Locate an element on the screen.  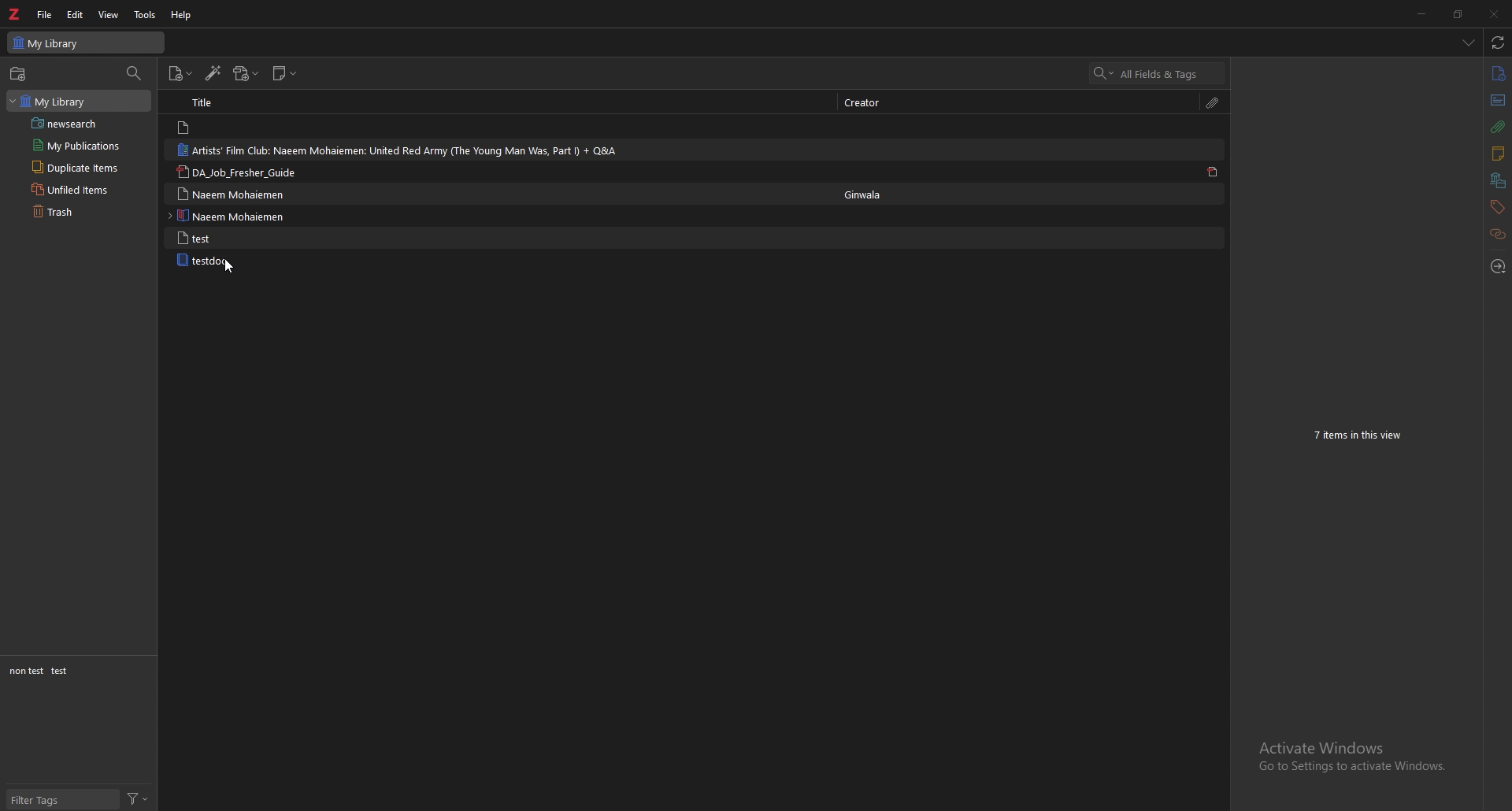
collections and libraries is located at coordinates (1499, 180).